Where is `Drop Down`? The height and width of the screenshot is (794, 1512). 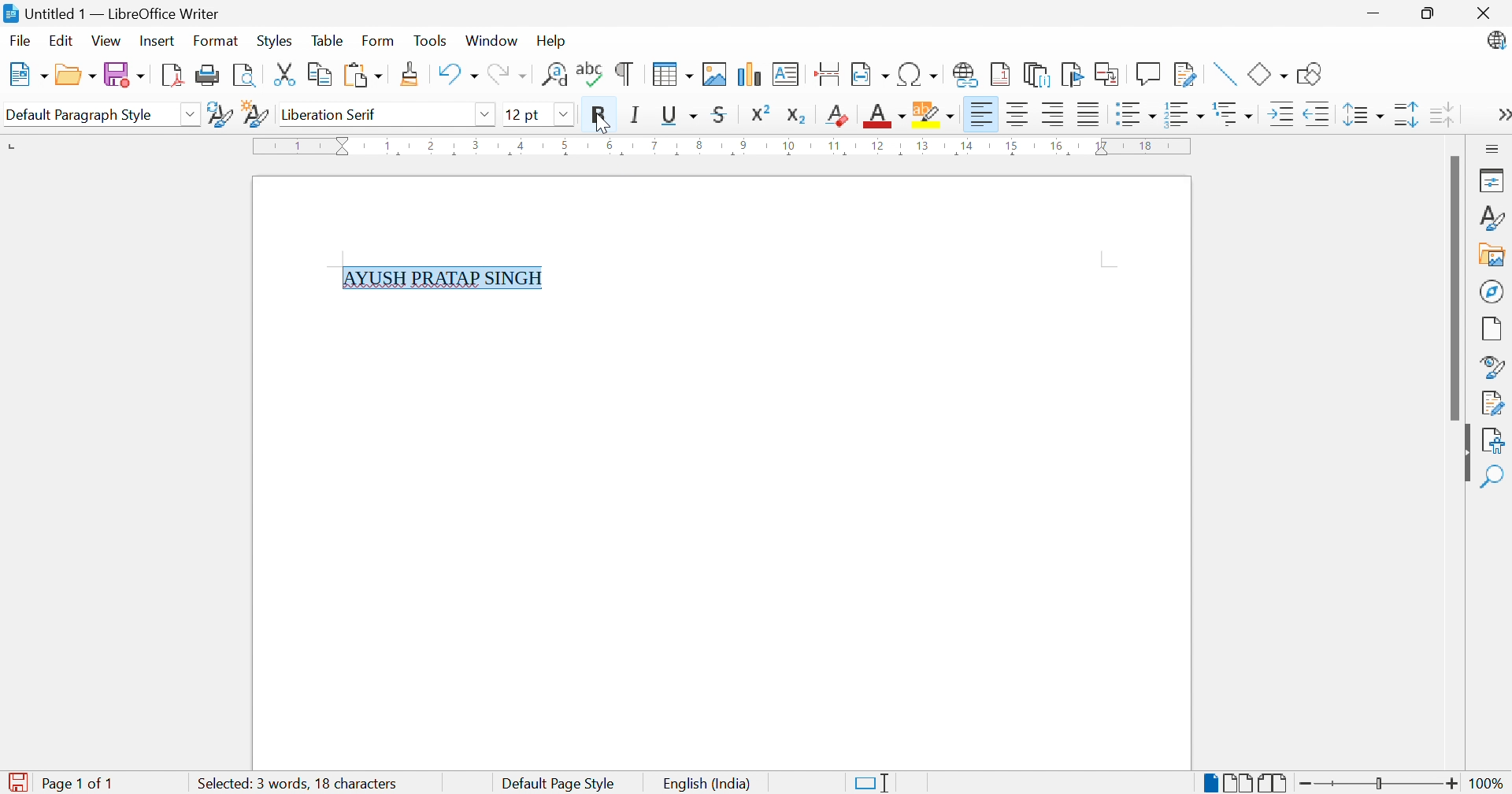 Drop Down is located at coordinates (192, 116).